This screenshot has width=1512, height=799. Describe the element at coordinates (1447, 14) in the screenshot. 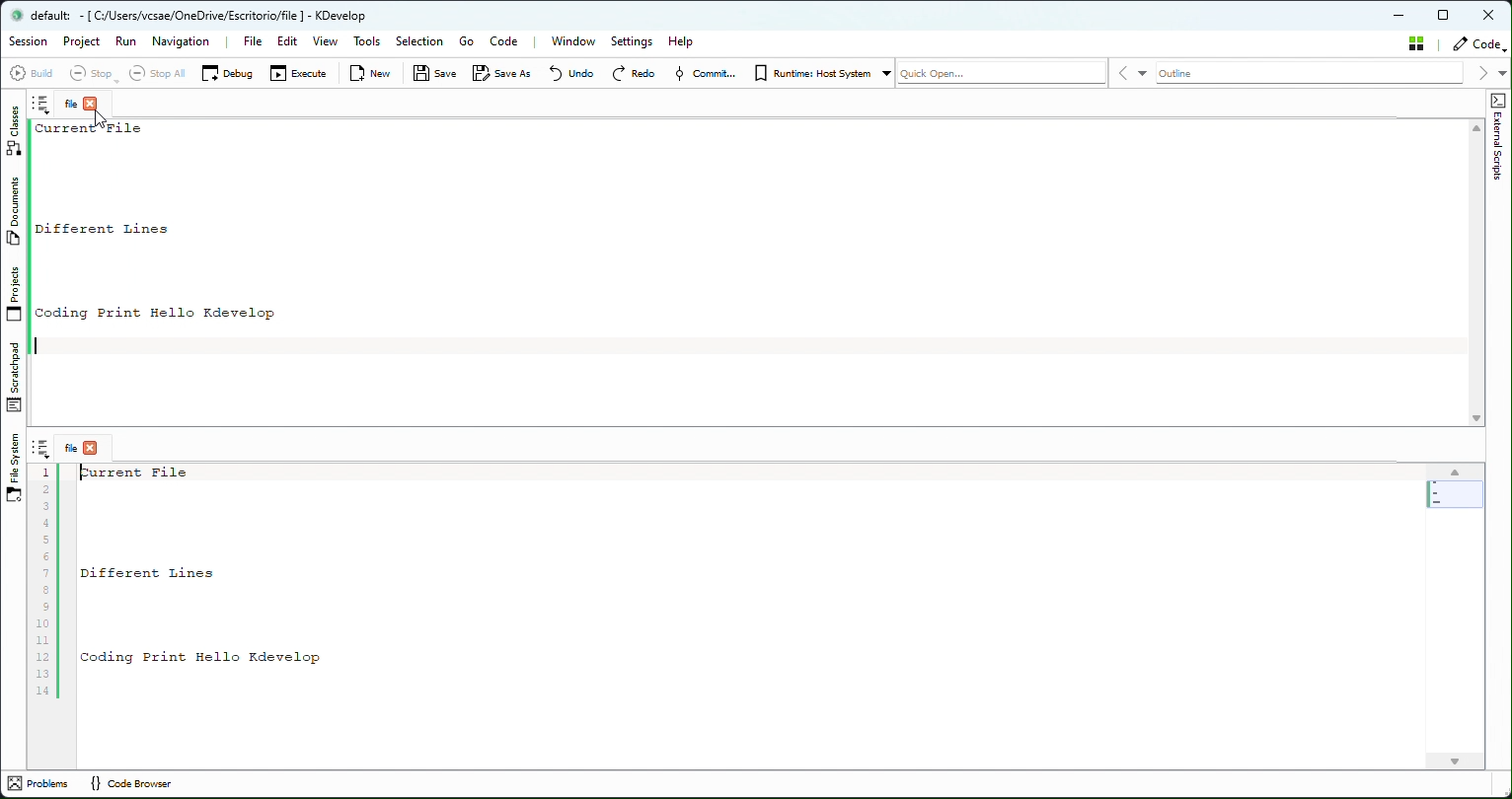

I see `Restore` at that location.